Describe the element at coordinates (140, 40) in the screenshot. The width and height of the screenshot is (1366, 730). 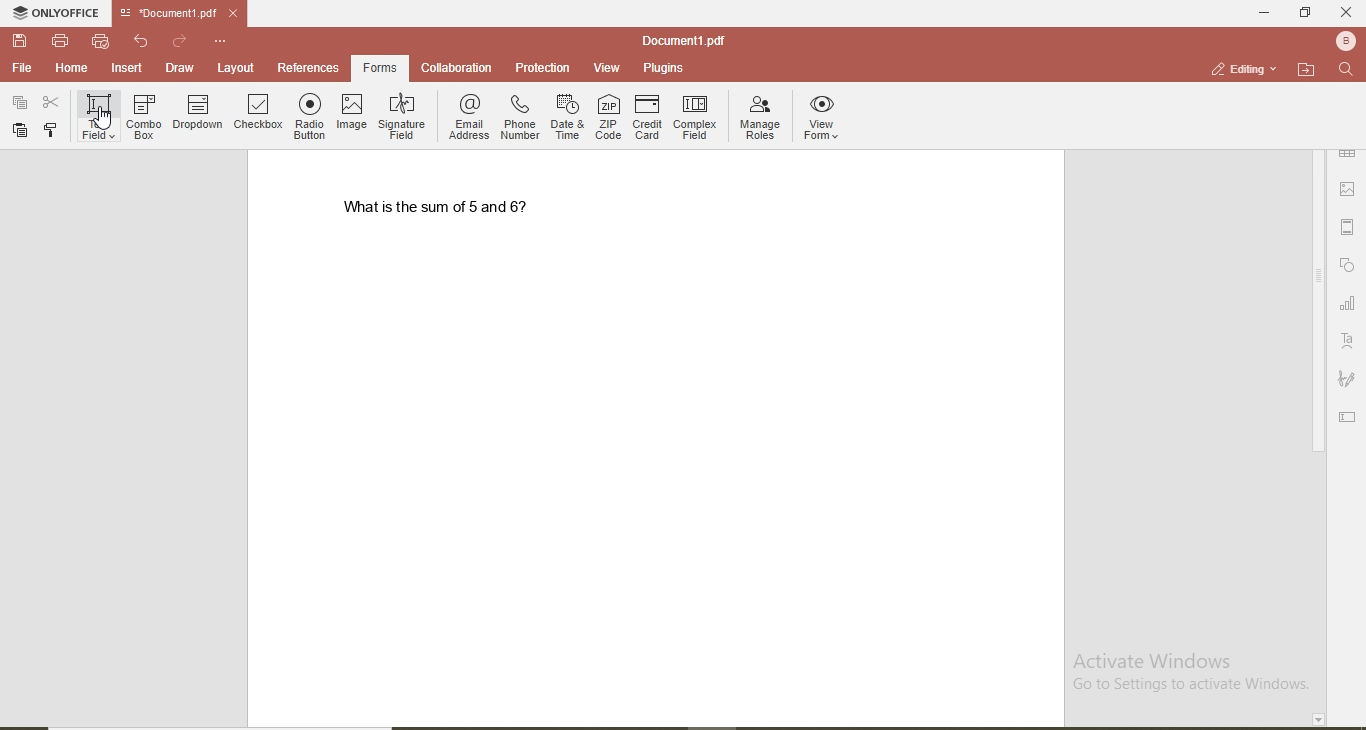
I see `undo` at that location.